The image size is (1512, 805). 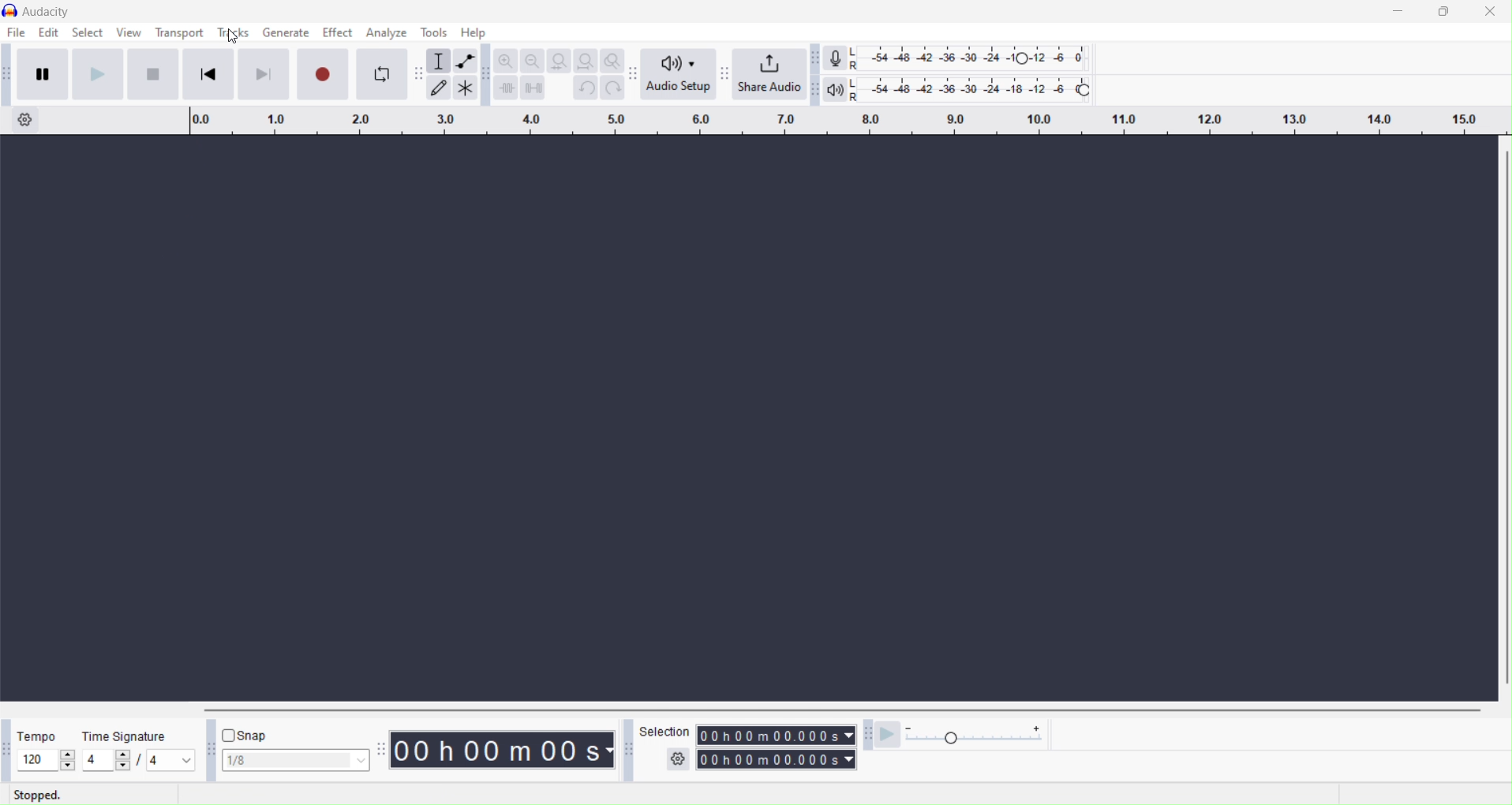 What do you see at coordinates (230, 32) in the screenshot?
I see `Tools` at bounding box center [230, 32].